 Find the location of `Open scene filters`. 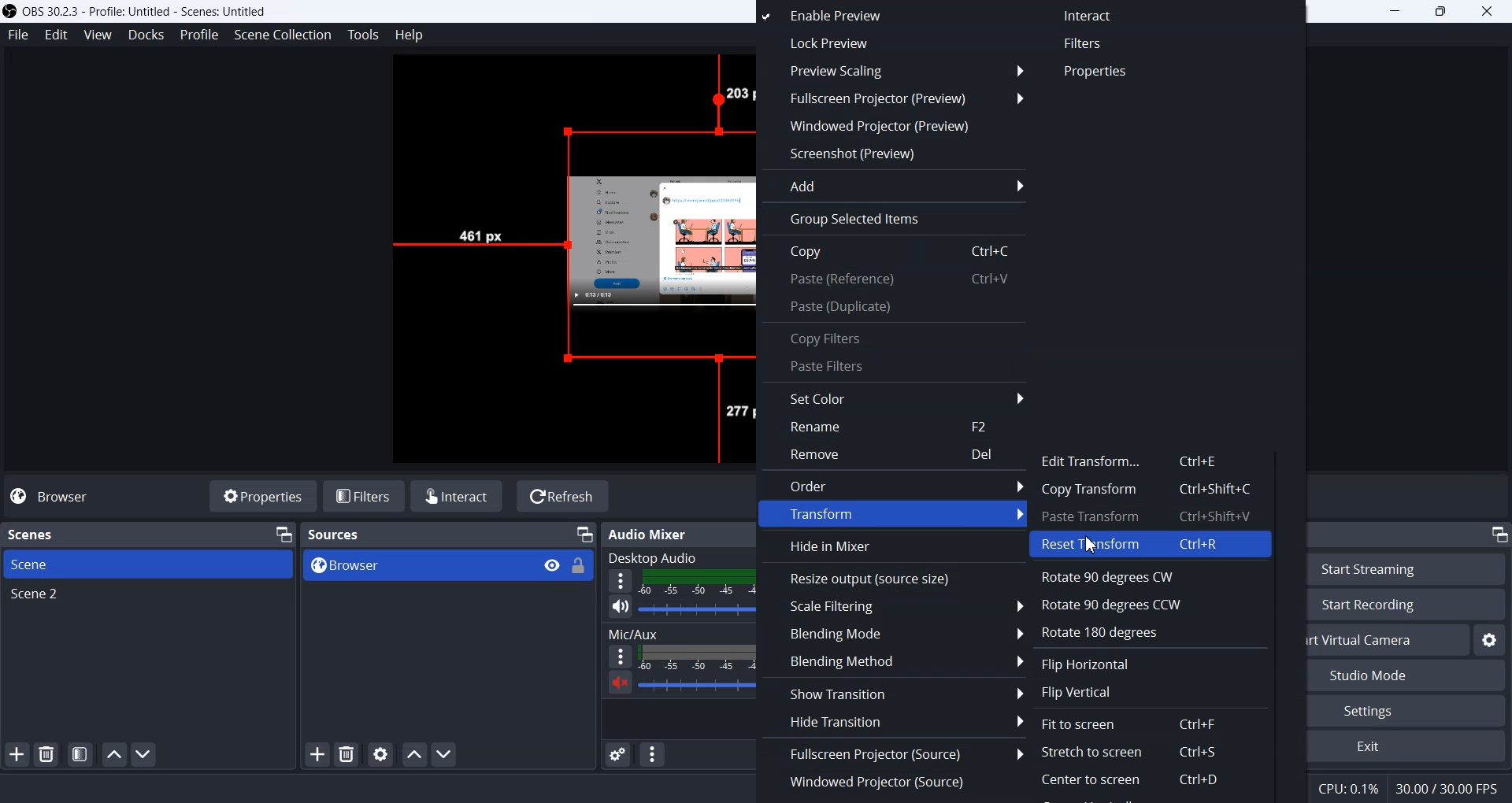

Open scene filters is located at coordinates (79, 754).